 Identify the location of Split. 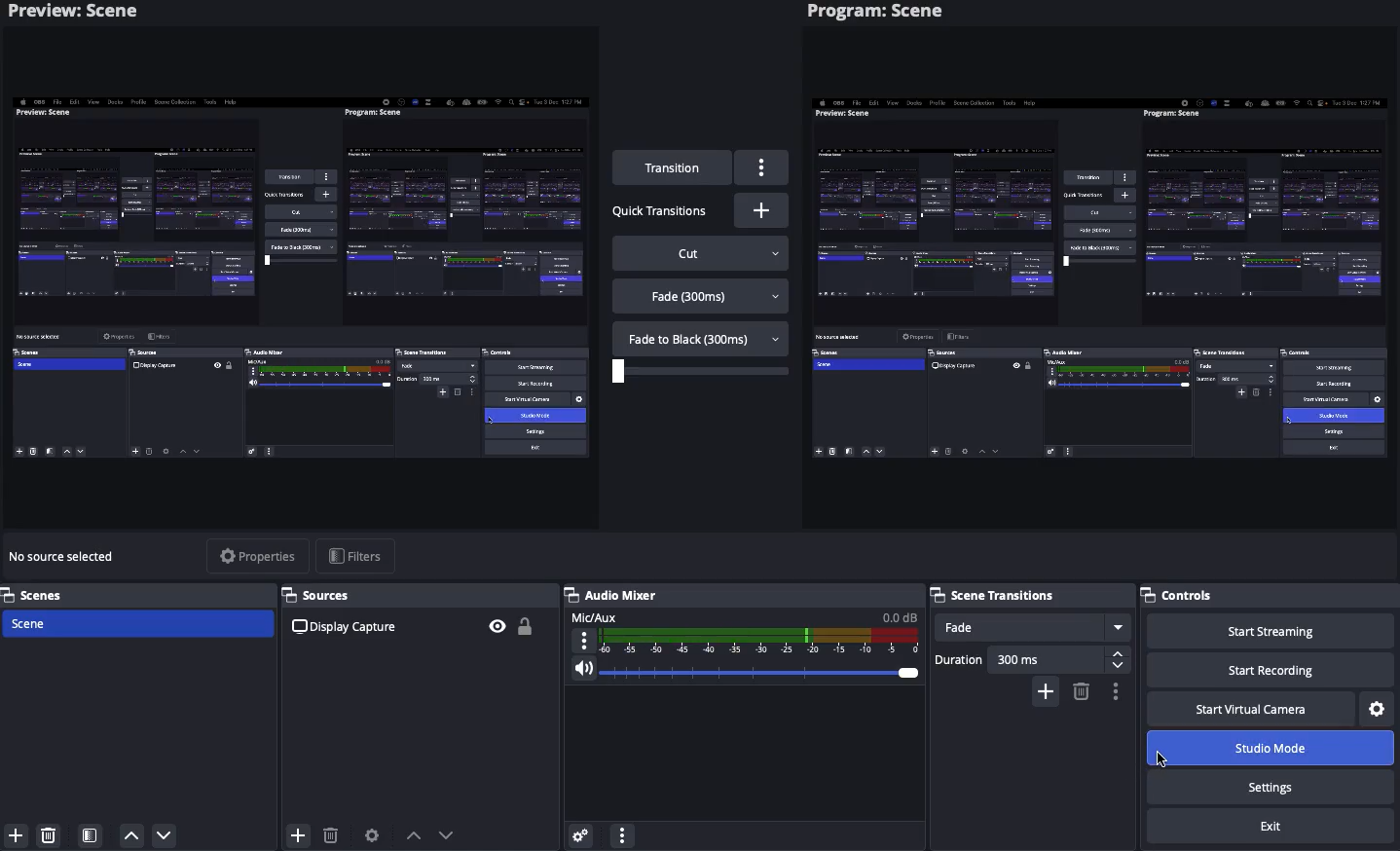
(300, 284).